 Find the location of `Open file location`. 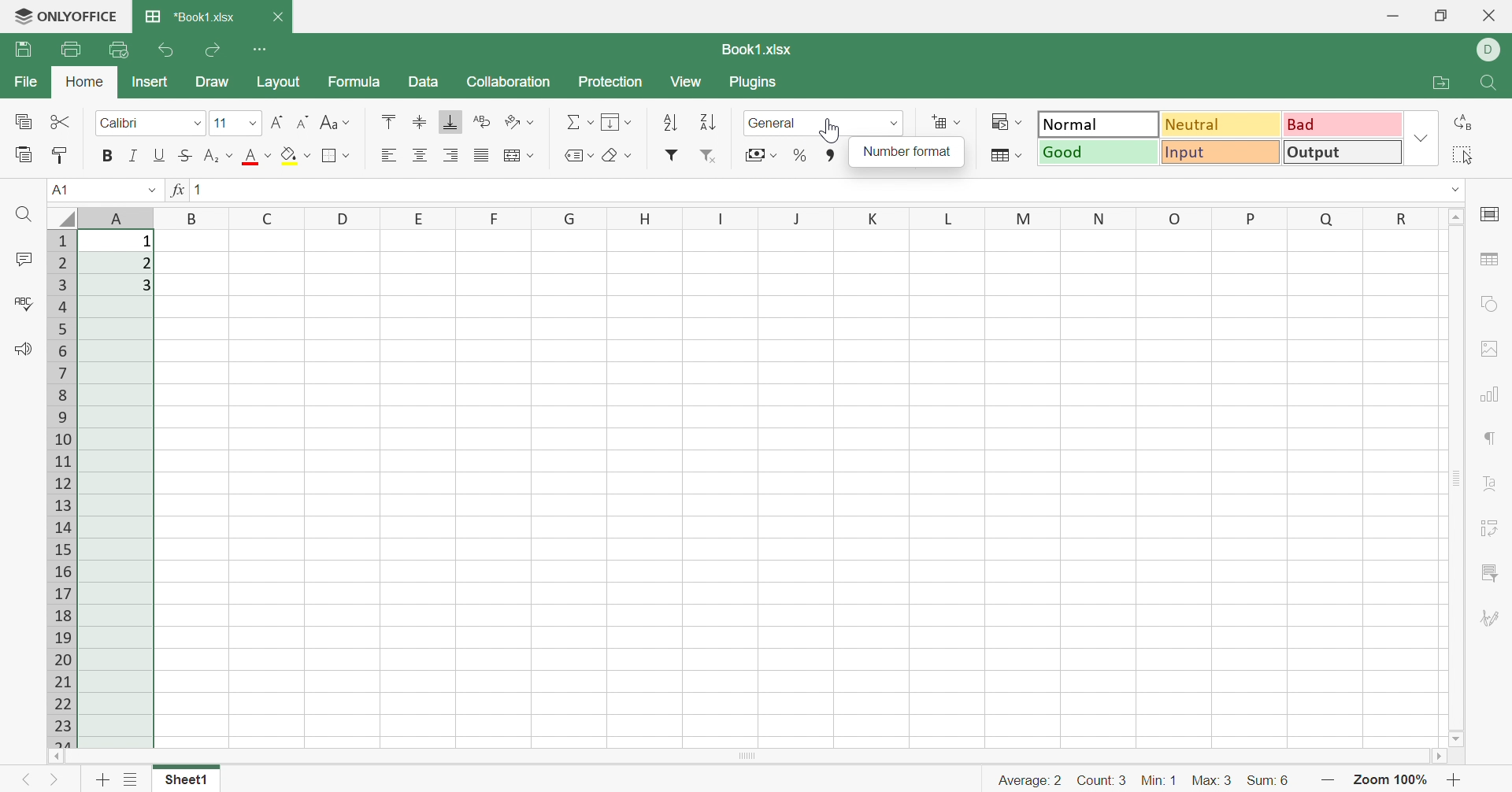

Open file location is located at coordinates (1439, 83).